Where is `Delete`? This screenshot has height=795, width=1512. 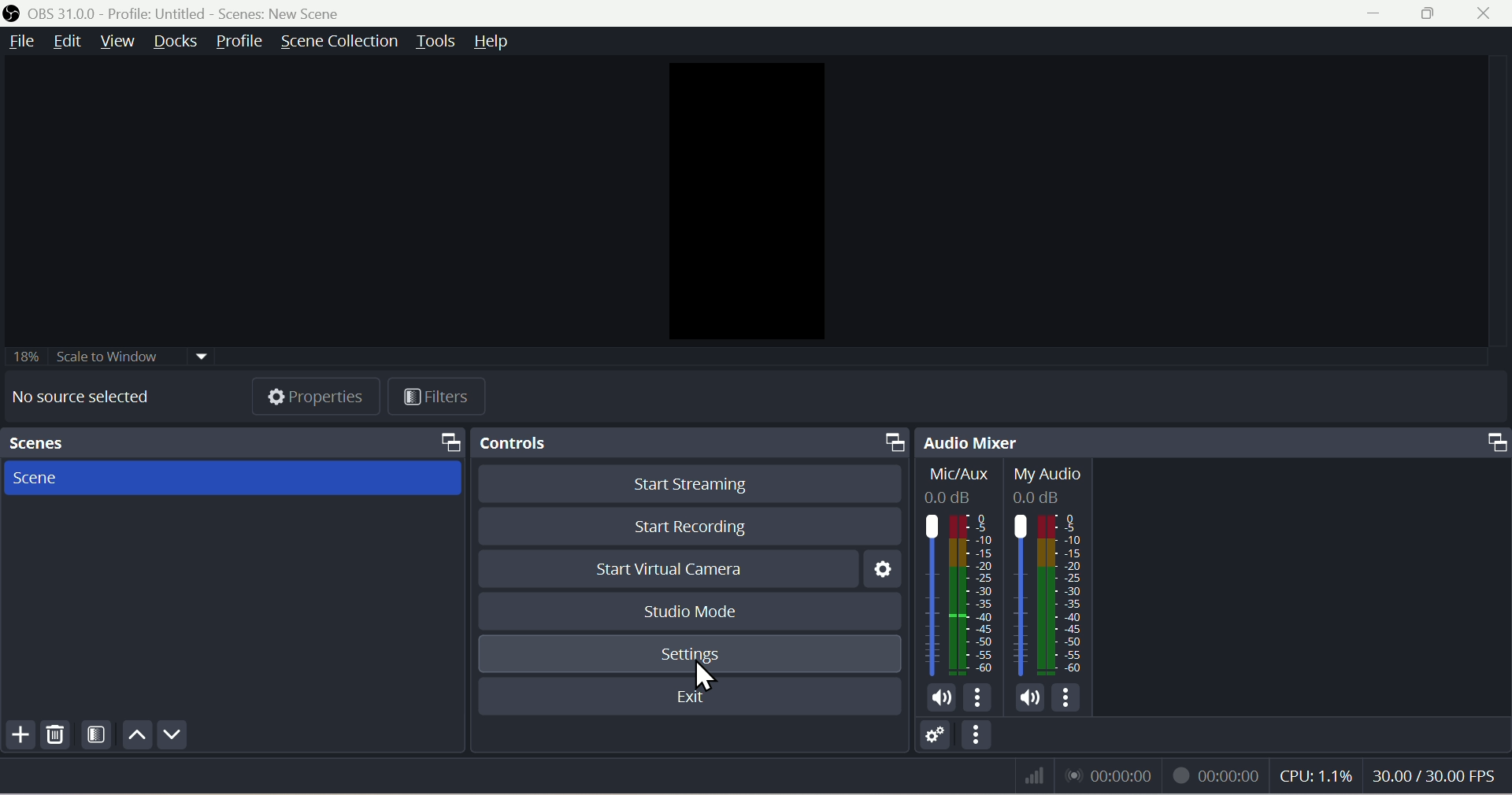
Delete is located at coordinates (57, 734).